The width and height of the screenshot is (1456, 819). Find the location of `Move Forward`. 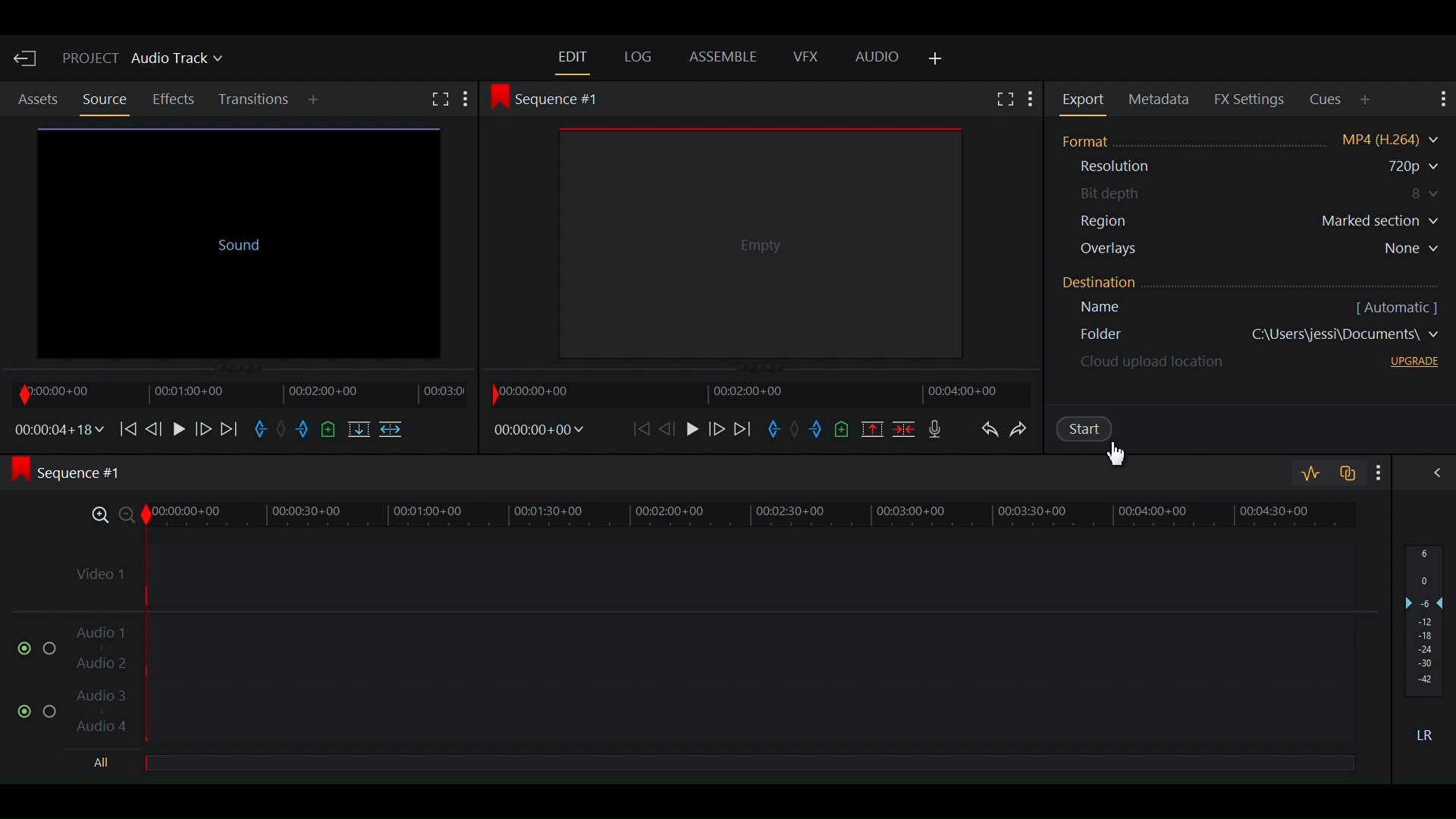

Move Forward is located at coordinates (231, 428).